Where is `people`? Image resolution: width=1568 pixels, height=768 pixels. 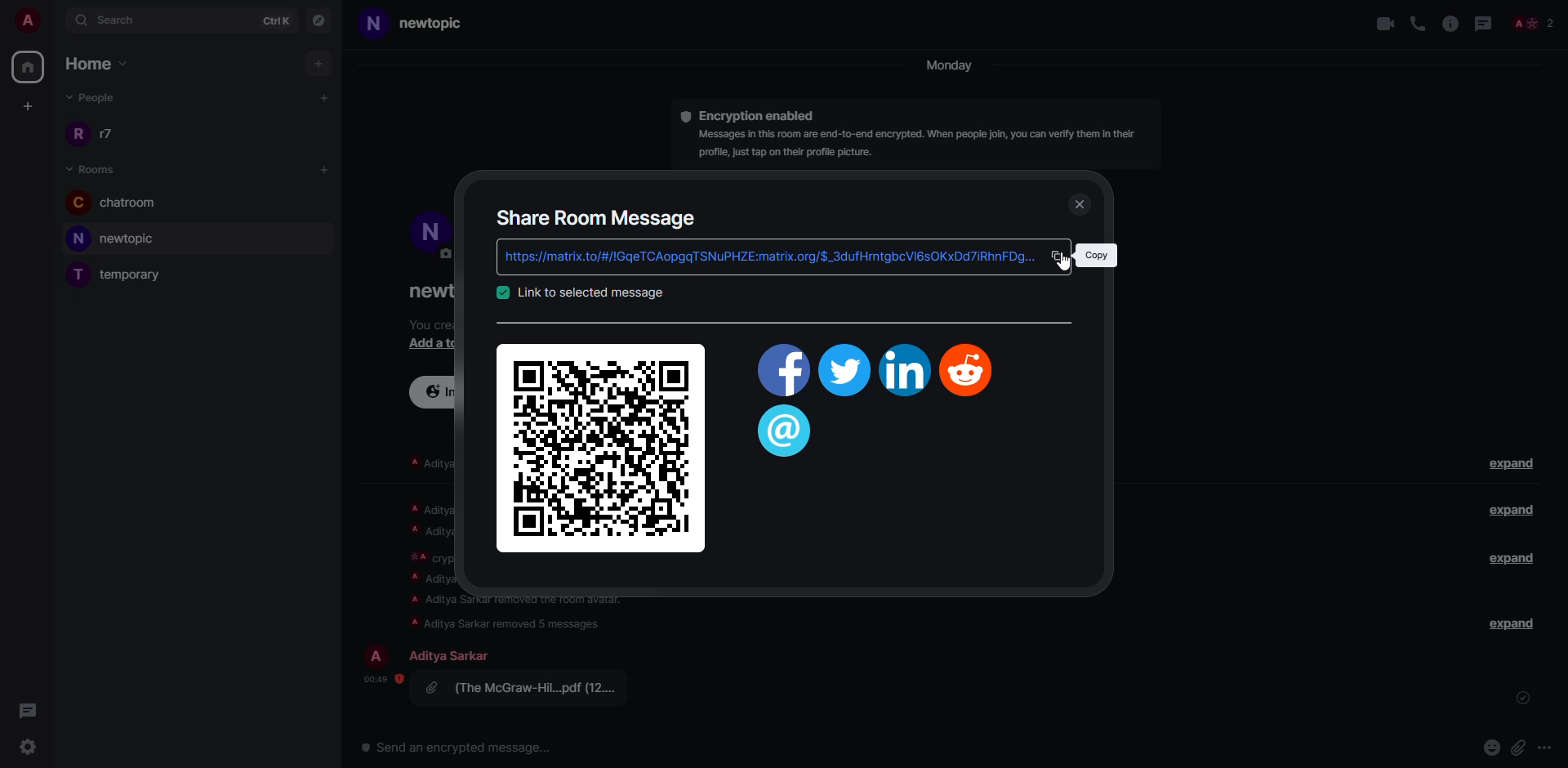
people is located at coordinates (453, 655).